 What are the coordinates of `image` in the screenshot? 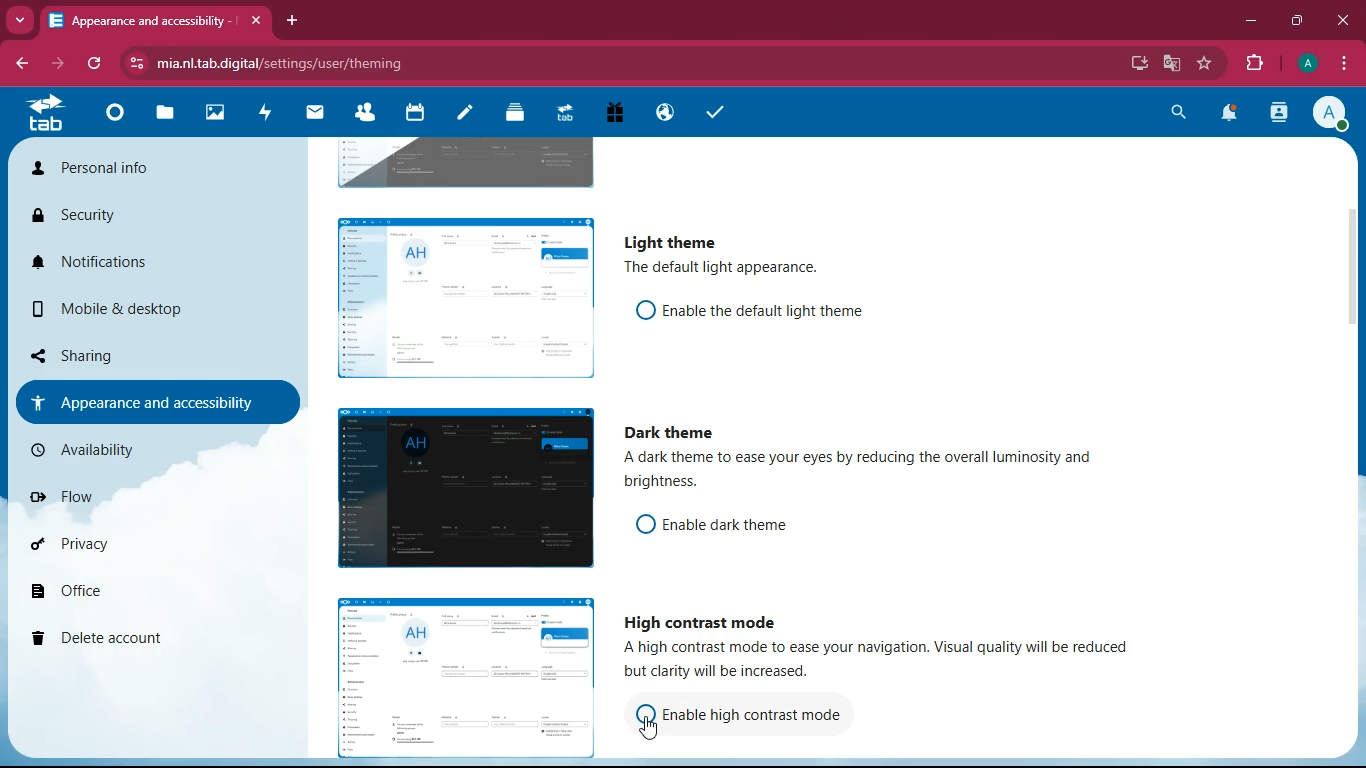 It's located at (460, 294).